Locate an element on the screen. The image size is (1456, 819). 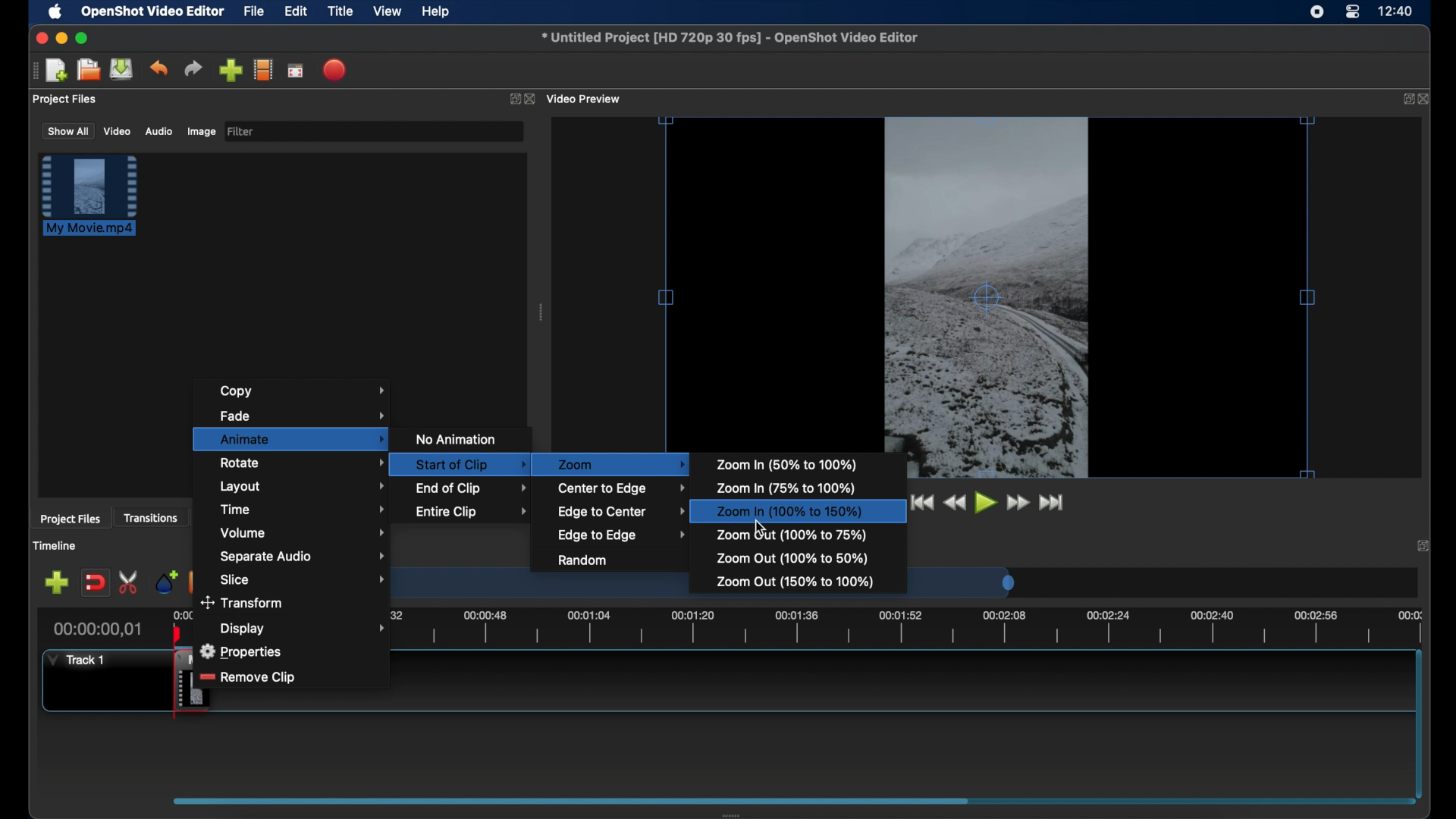
close is located at coordinates (39, 38).